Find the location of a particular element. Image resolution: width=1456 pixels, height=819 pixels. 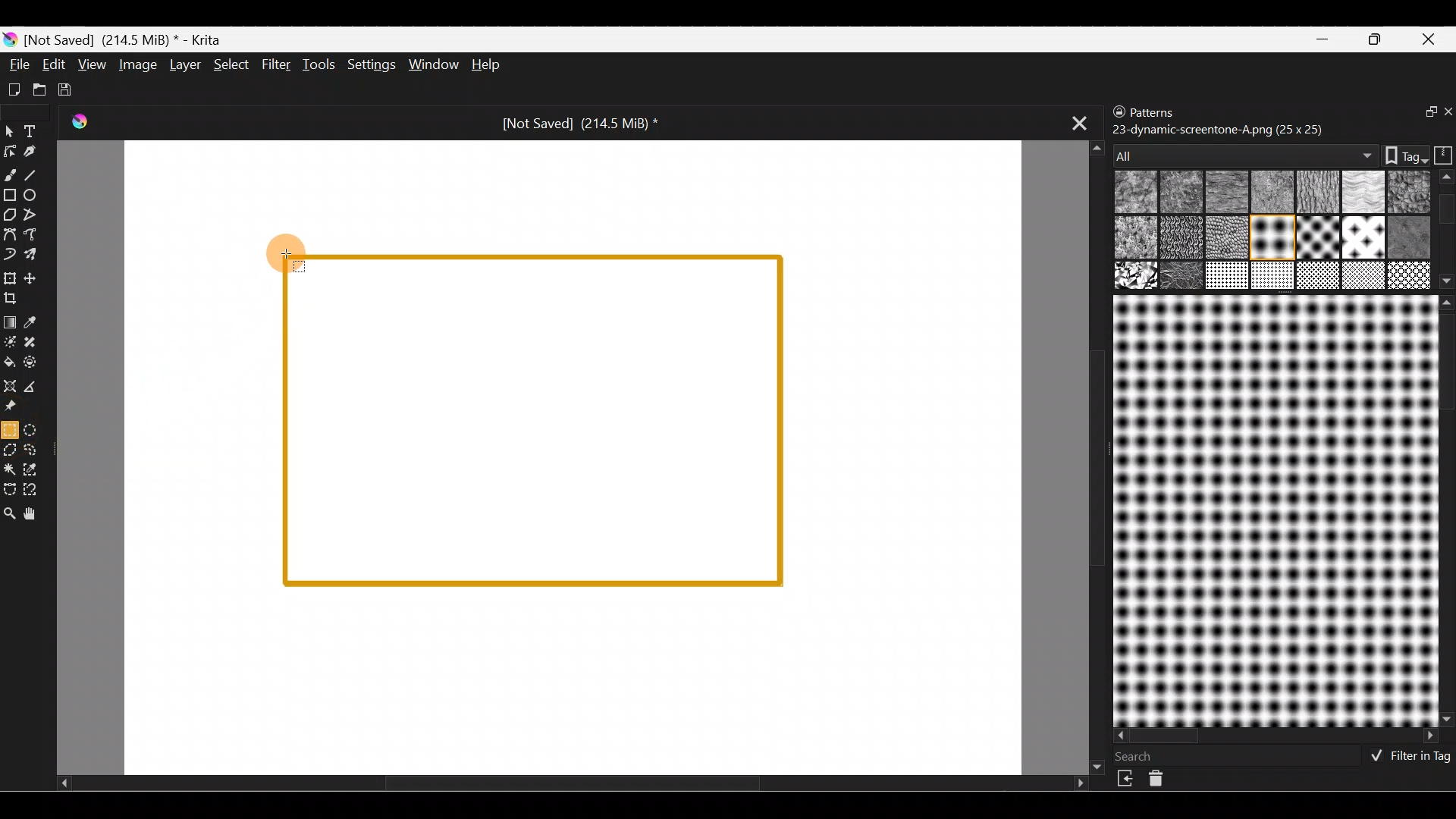

Zoom tool is located at coordinates (10, 515).